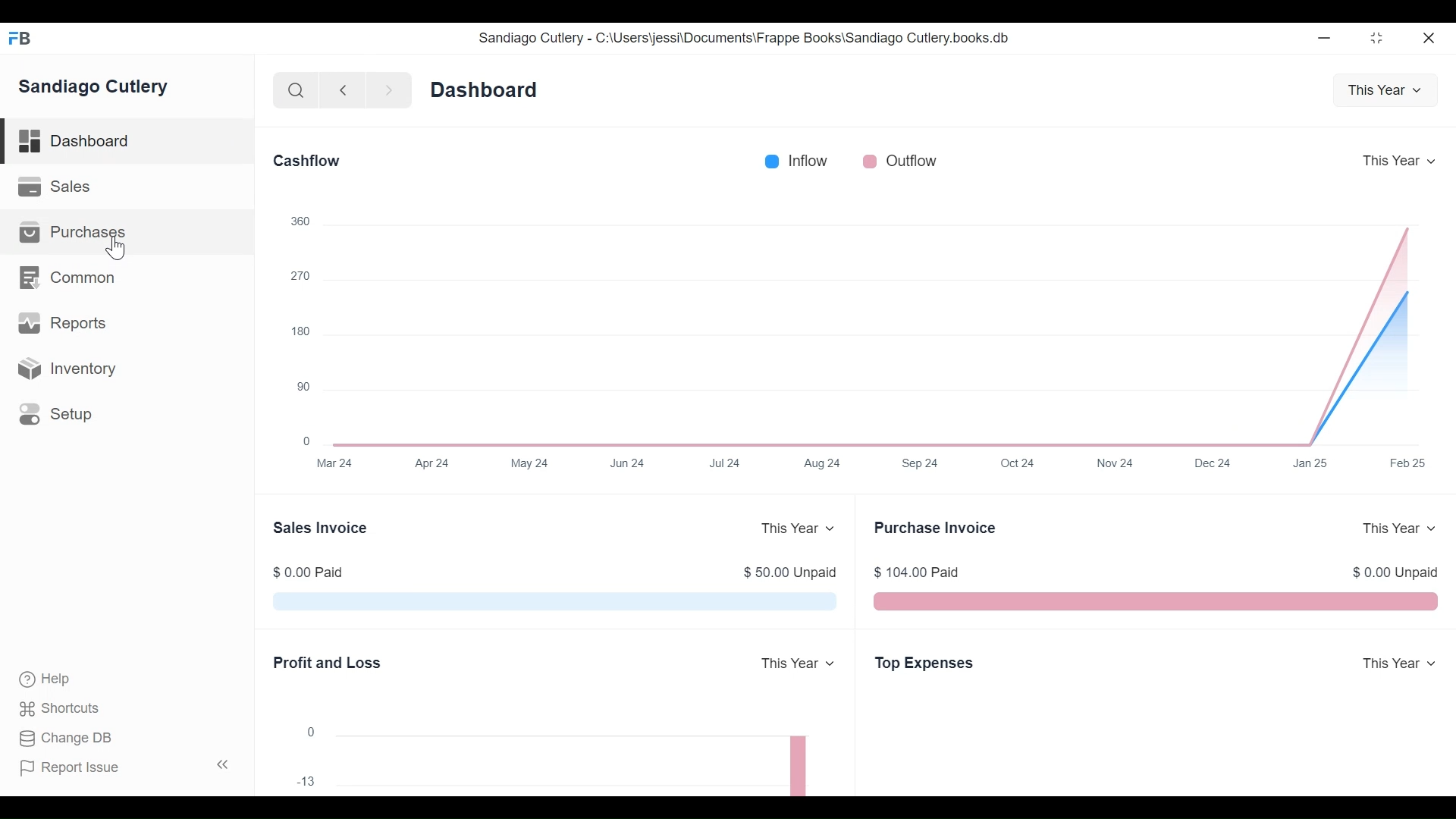 This screenshot has width=1456, height=819. I want to click on $ 104.00 Paid, so click(918, 572).